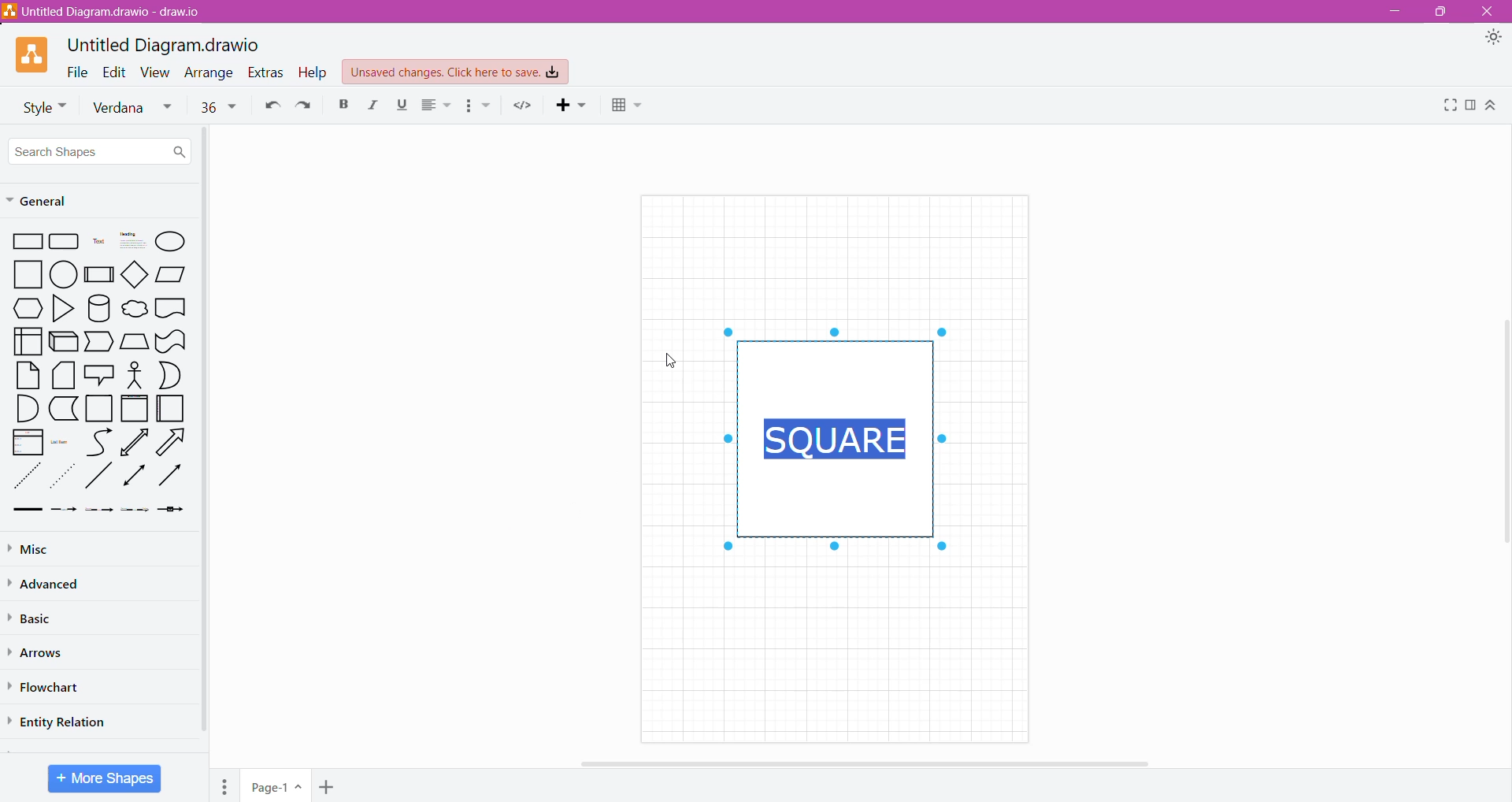  Describe the element at coordinates (99, 274) in the screenshot. I see `Subprocess` at that location.